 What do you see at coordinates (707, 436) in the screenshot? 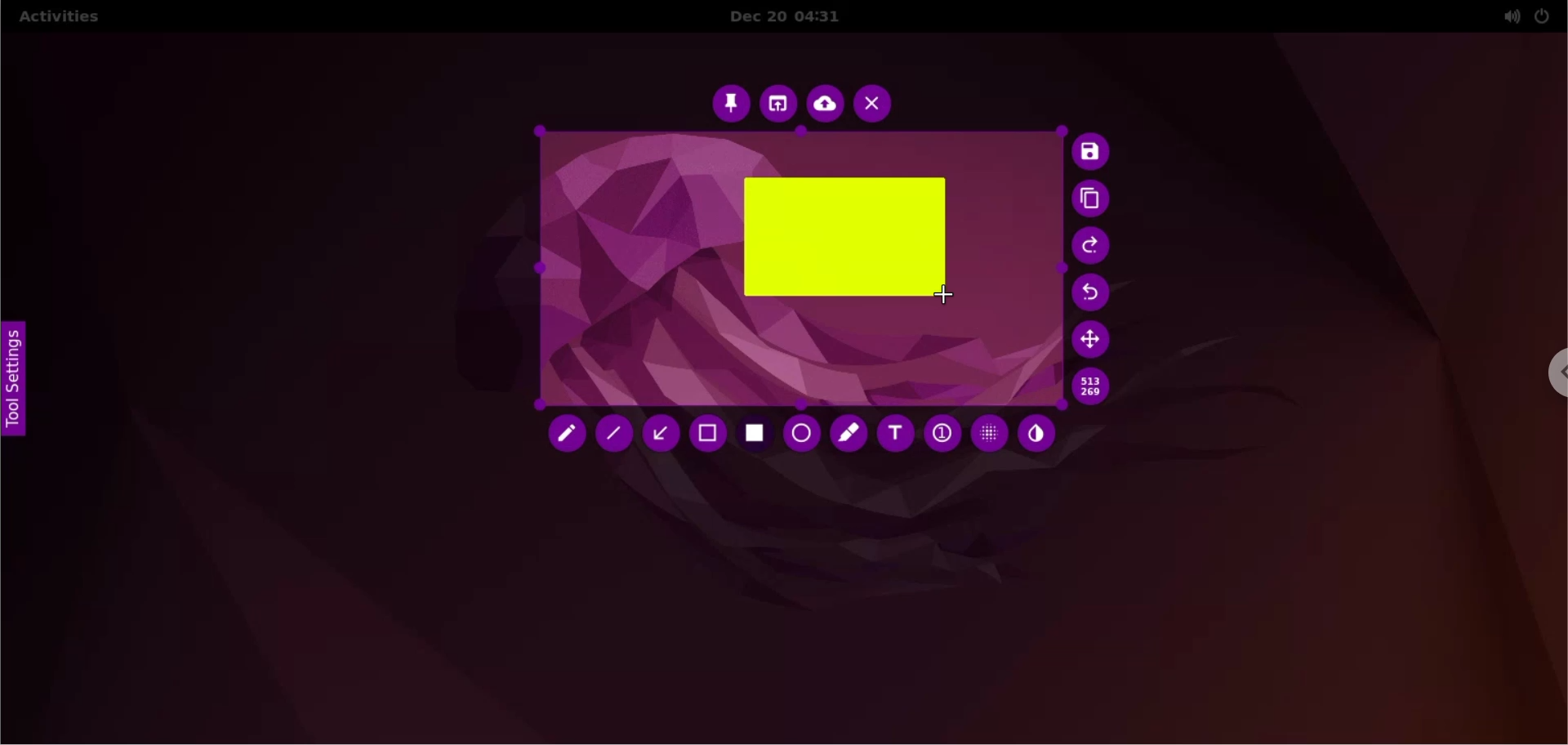
I see `selection tool` at bounding box center [707, 436].